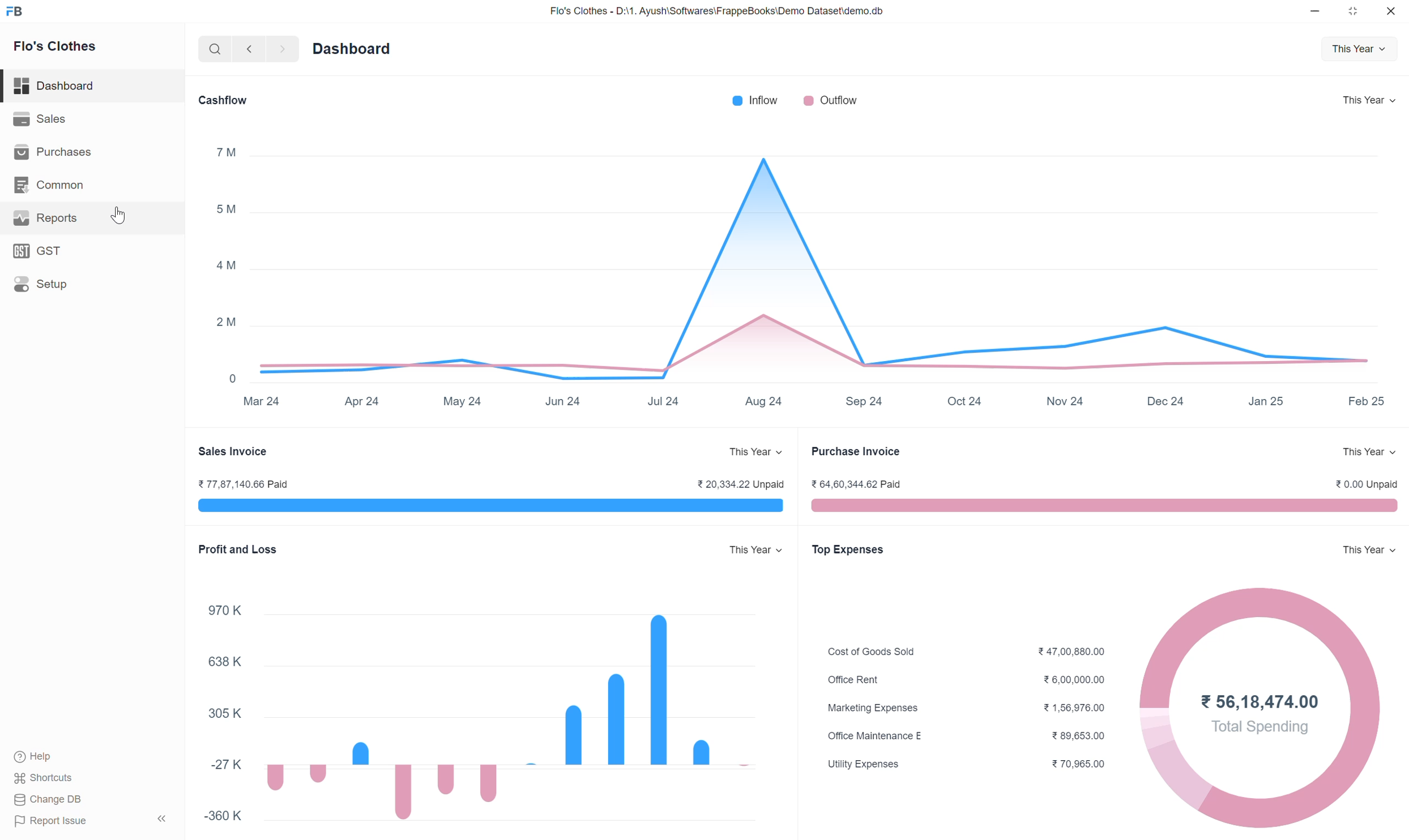 Image resolution: width=1409 pixels, height=840 pixels. What do you see at coordinates (352, 49) in the screenshot?
I see `dashboard` at bounding box center [352, 49].